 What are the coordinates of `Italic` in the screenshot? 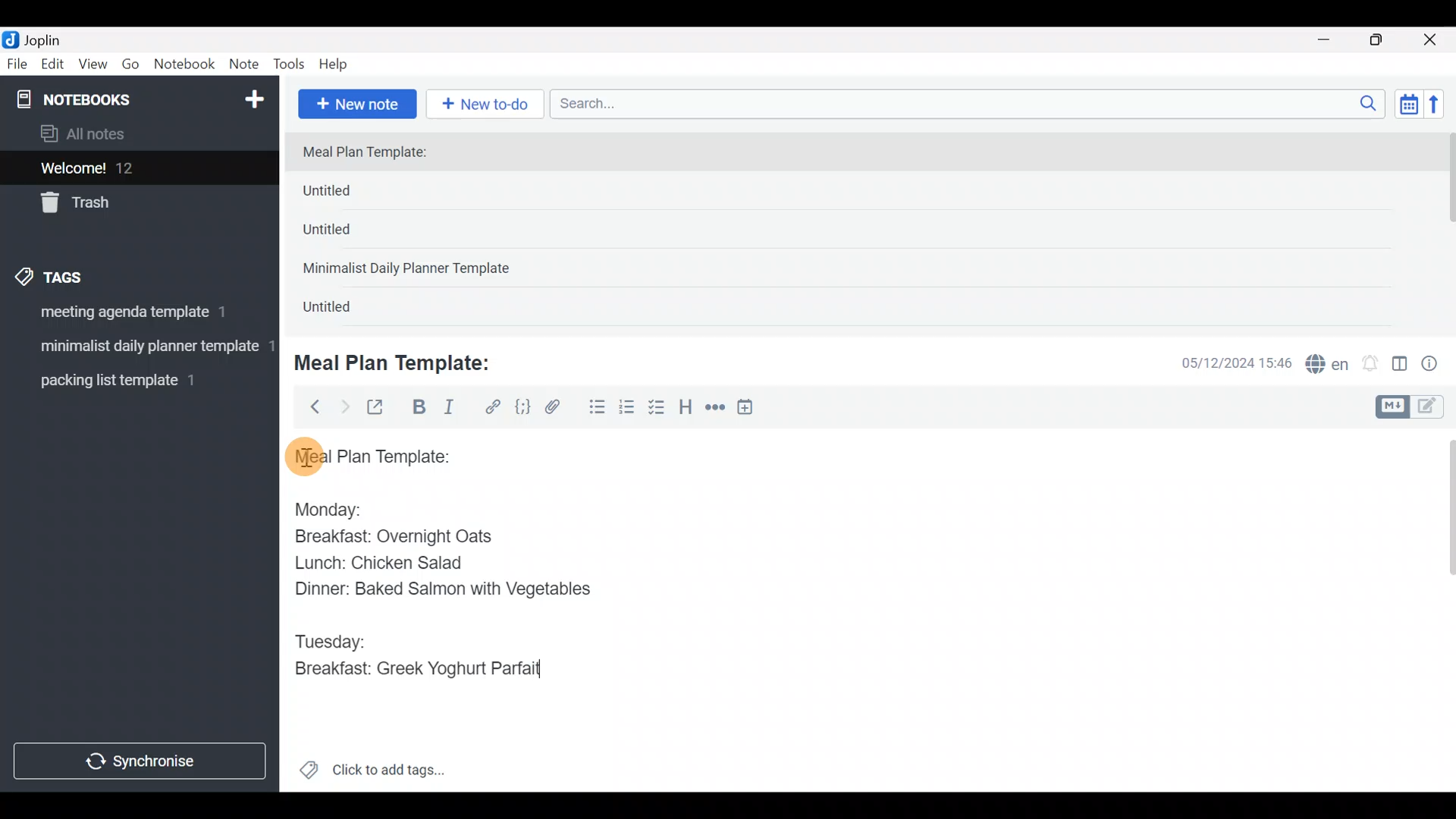 It's located at (447, 410).